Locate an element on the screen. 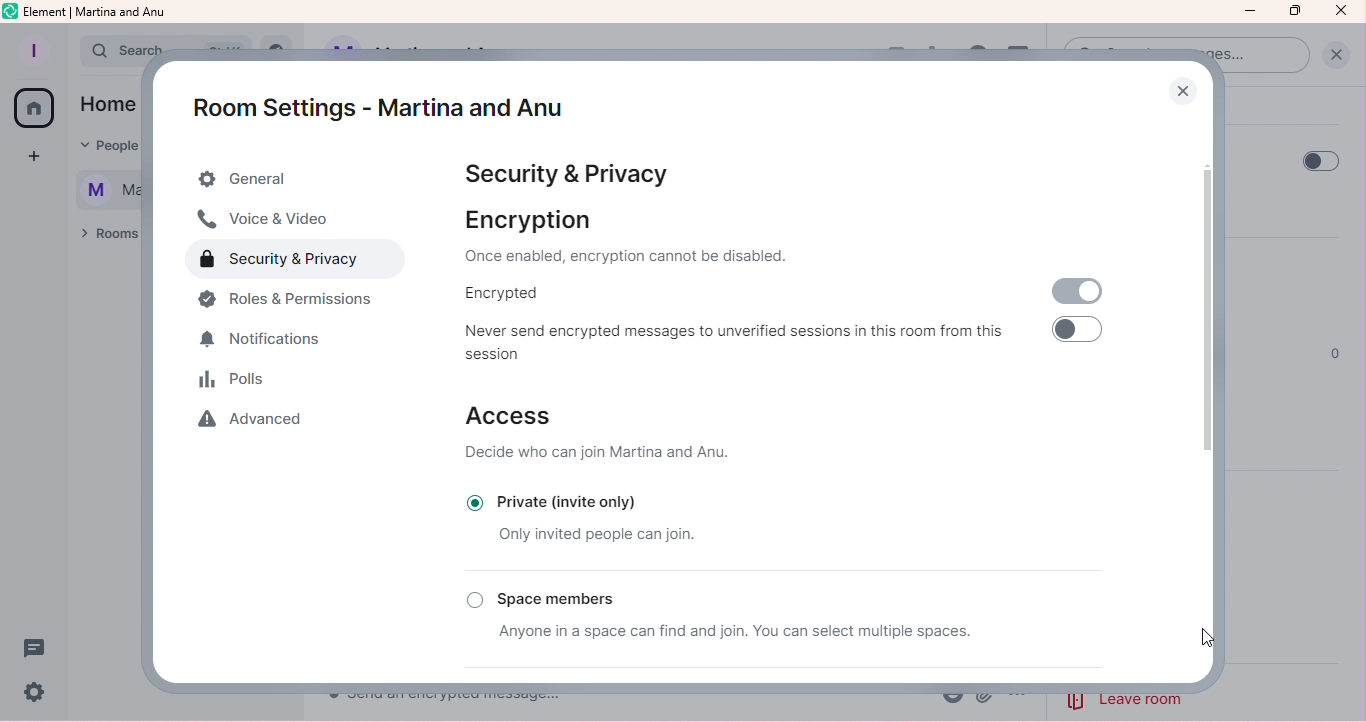 The image size is (1366, 722). Encrypted is located at coordinates (497, 294).